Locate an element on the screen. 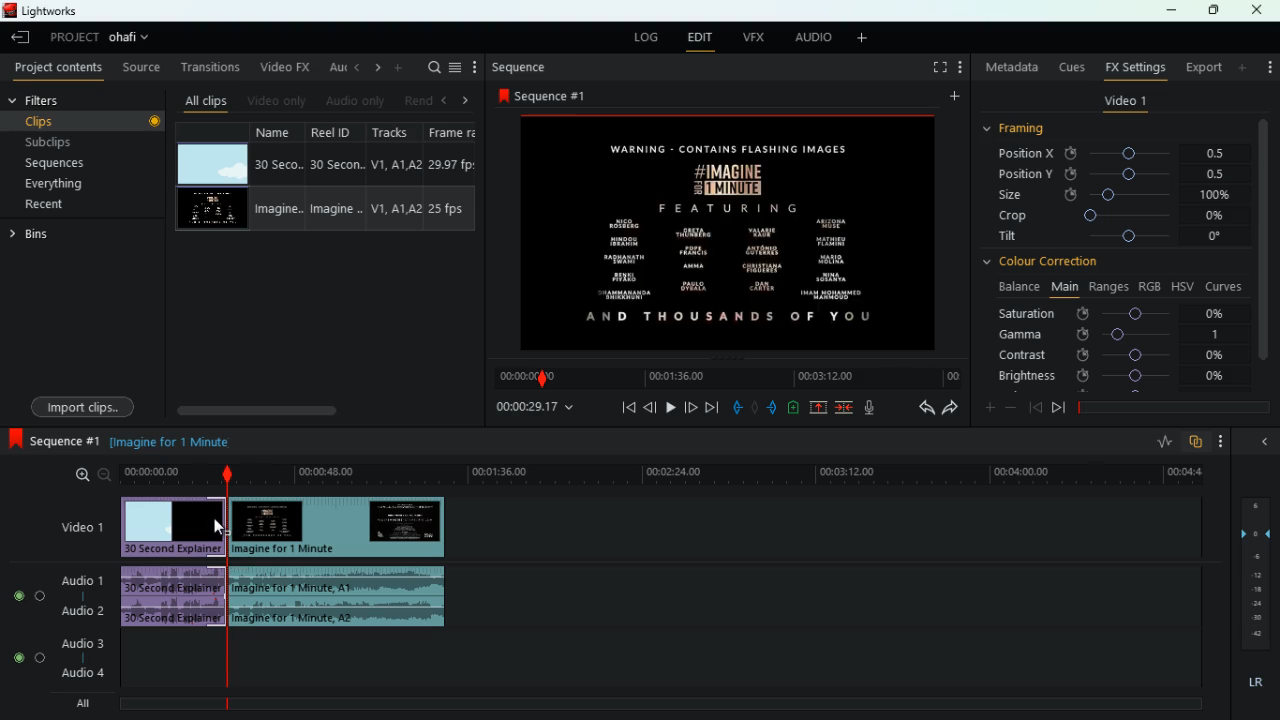 Image resolution: width=1280 pixels, height=720 pixels. rate is located at coordinates (1163, 444).